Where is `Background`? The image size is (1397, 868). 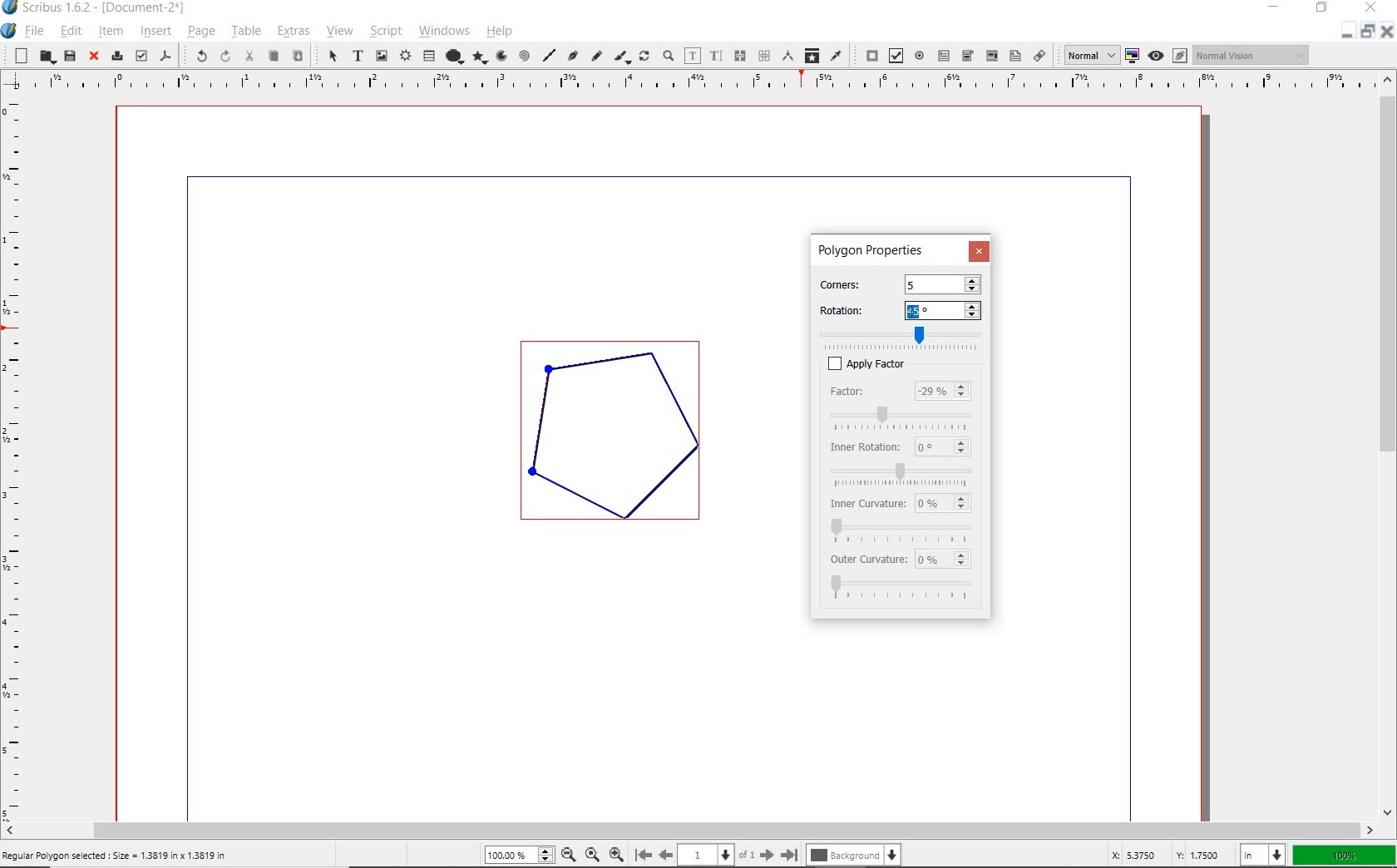
Background is located at coordinates (856, 855).